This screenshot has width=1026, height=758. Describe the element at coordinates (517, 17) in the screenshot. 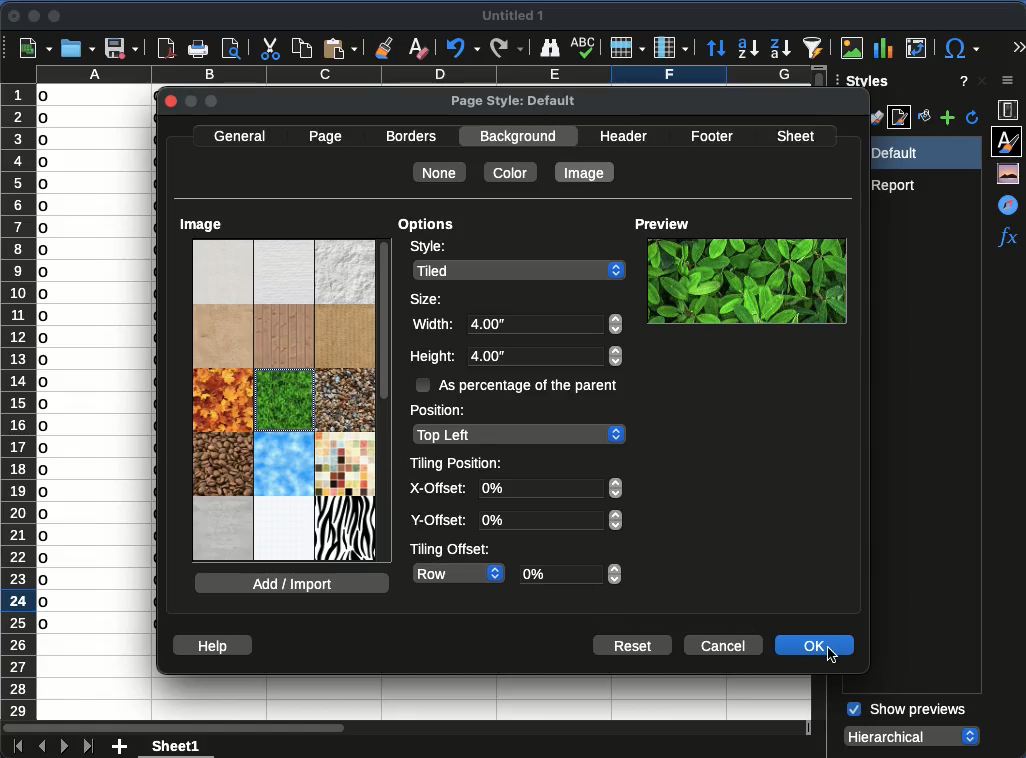

I see `untitled` at that location.